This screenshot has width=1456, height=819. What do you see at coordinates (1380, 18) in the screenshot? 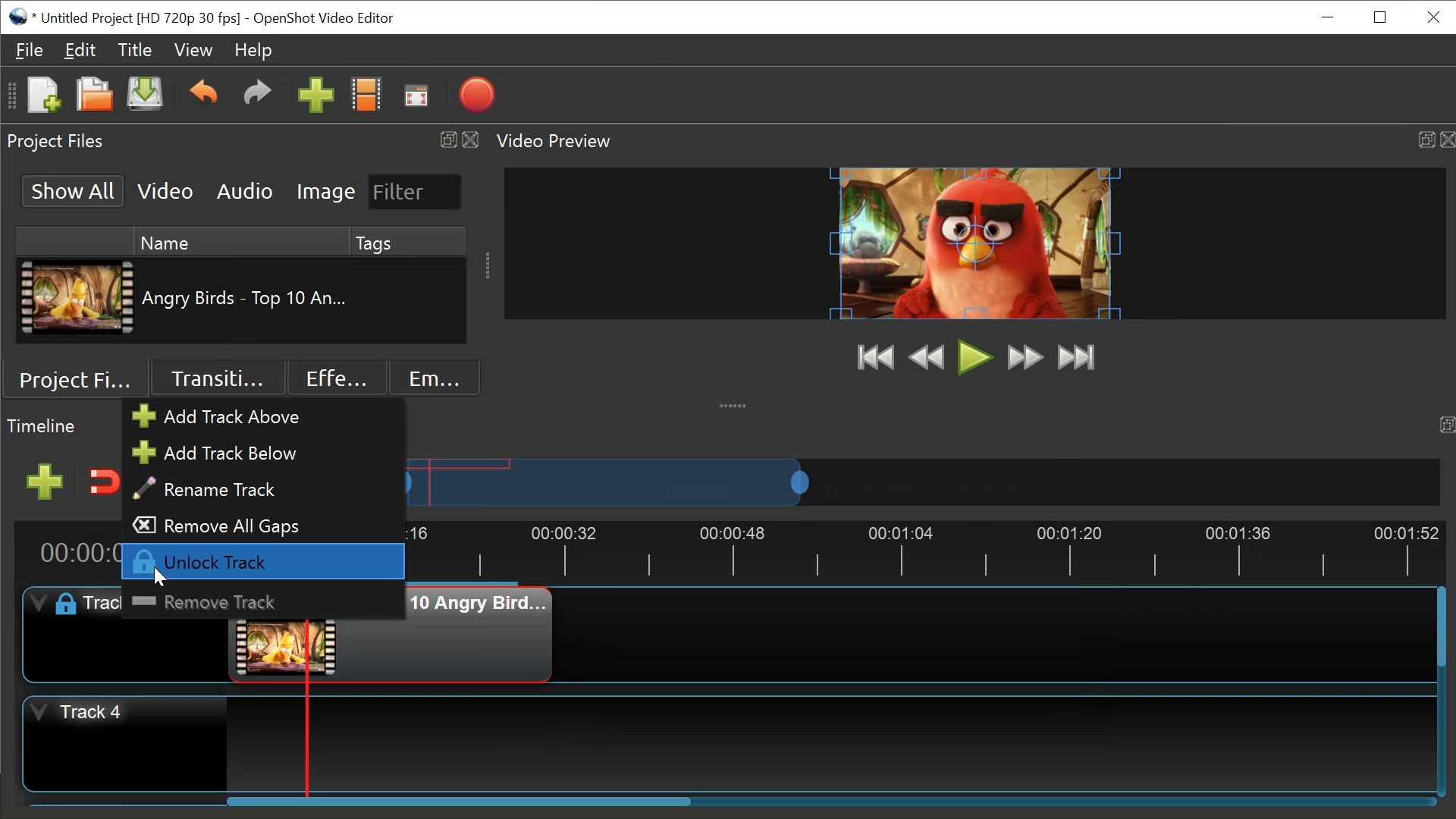
I see `Restore ` at bounding box center [1380, 18].